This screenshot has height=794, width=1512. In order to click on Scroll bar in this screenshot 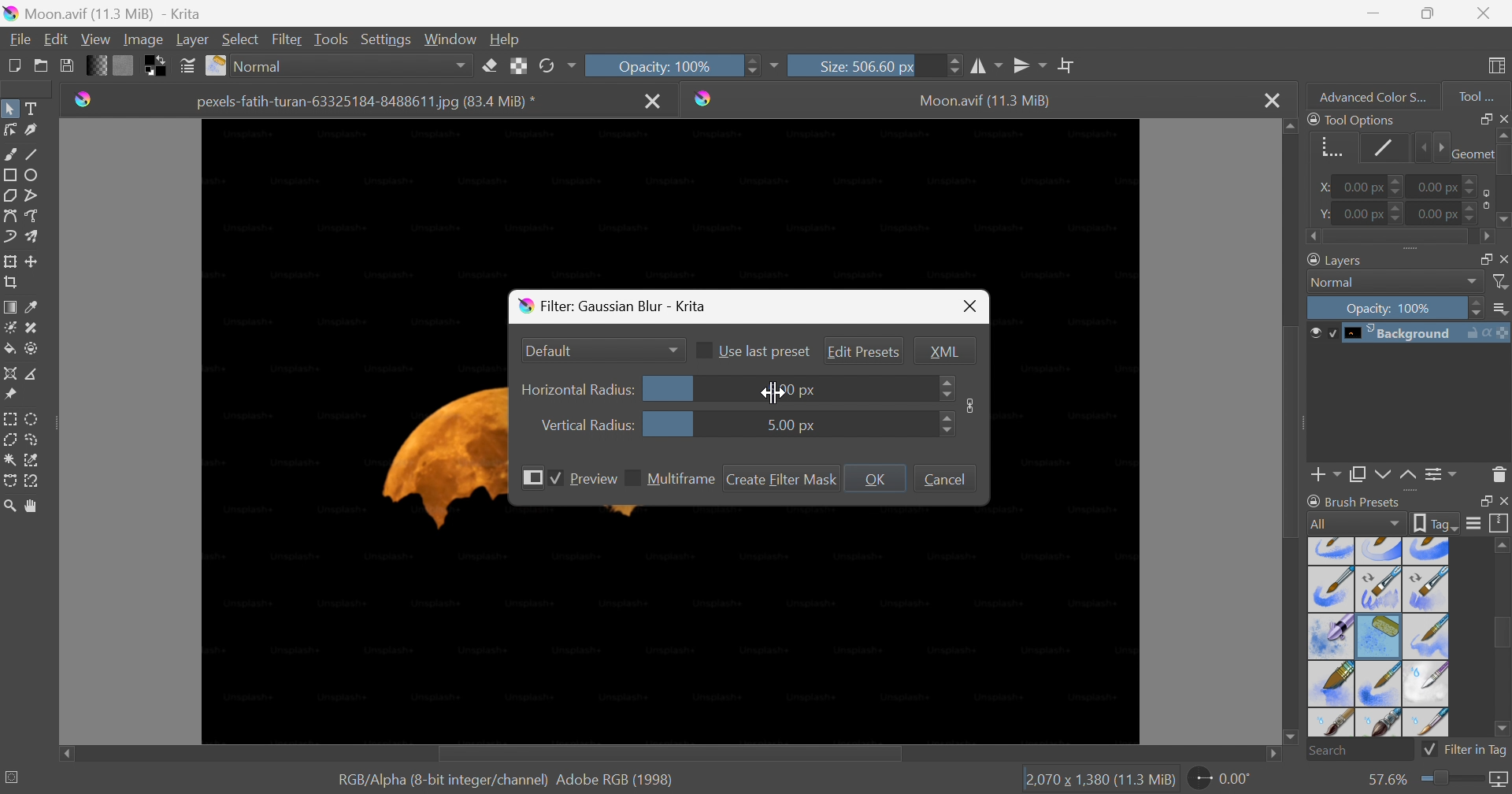, I will do `click(1503, 159)`.